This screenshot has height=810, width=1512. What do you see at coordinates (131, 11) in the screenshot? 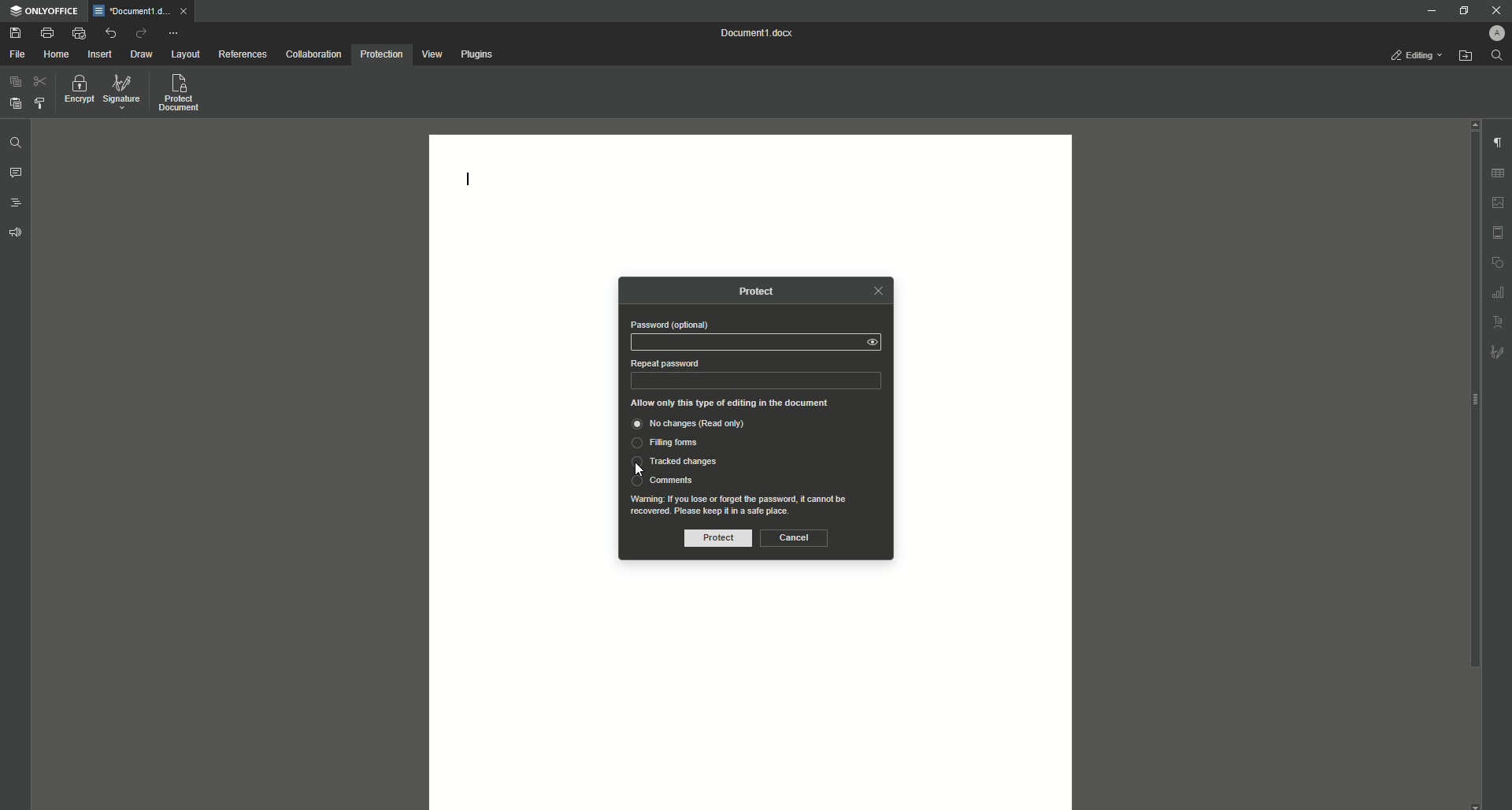
I see `Document1.docx` at bounding box center [131, 11].